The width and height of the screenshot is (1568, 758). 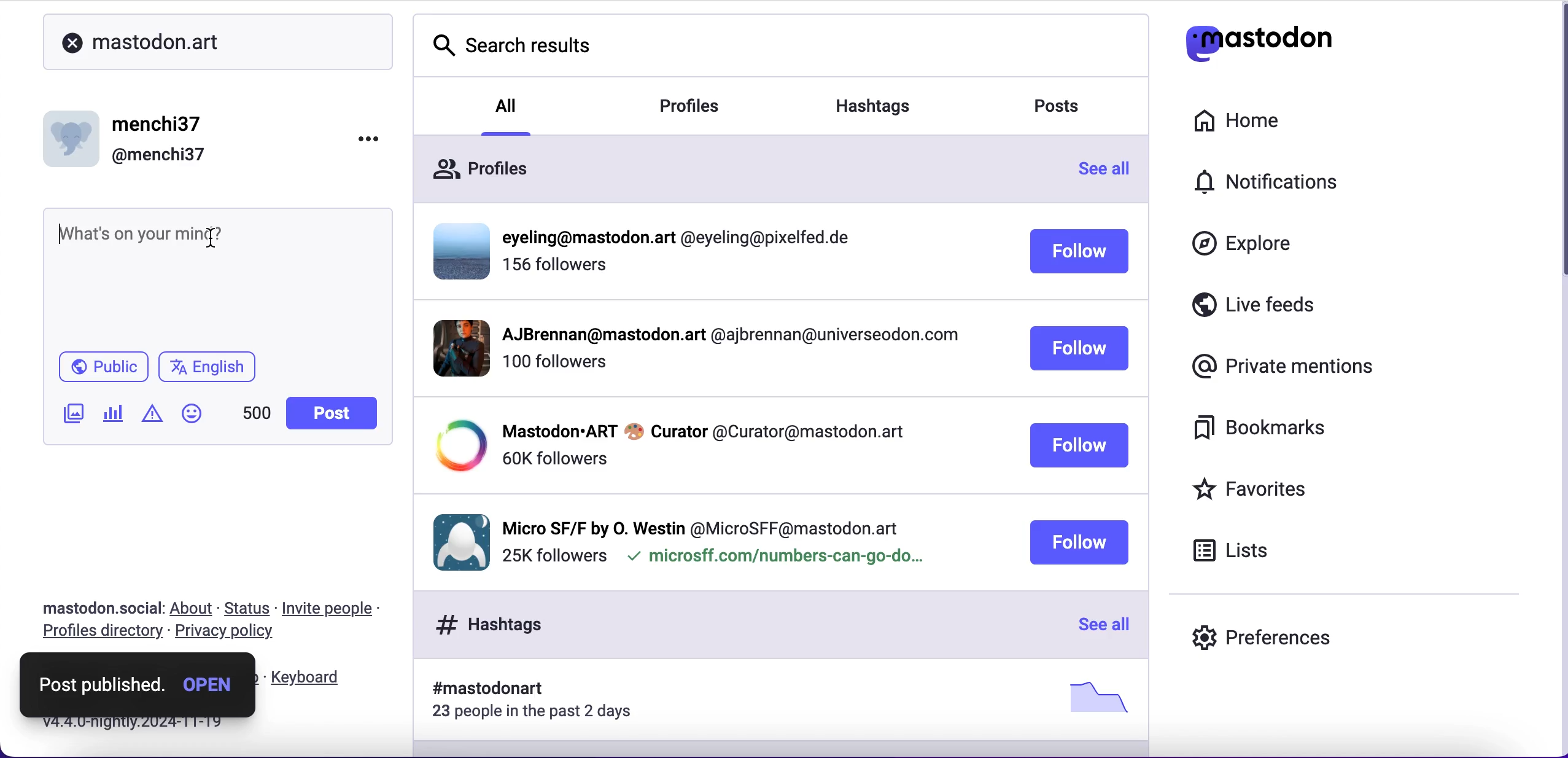 I want to click on follow, so click(x=1078, y=542).